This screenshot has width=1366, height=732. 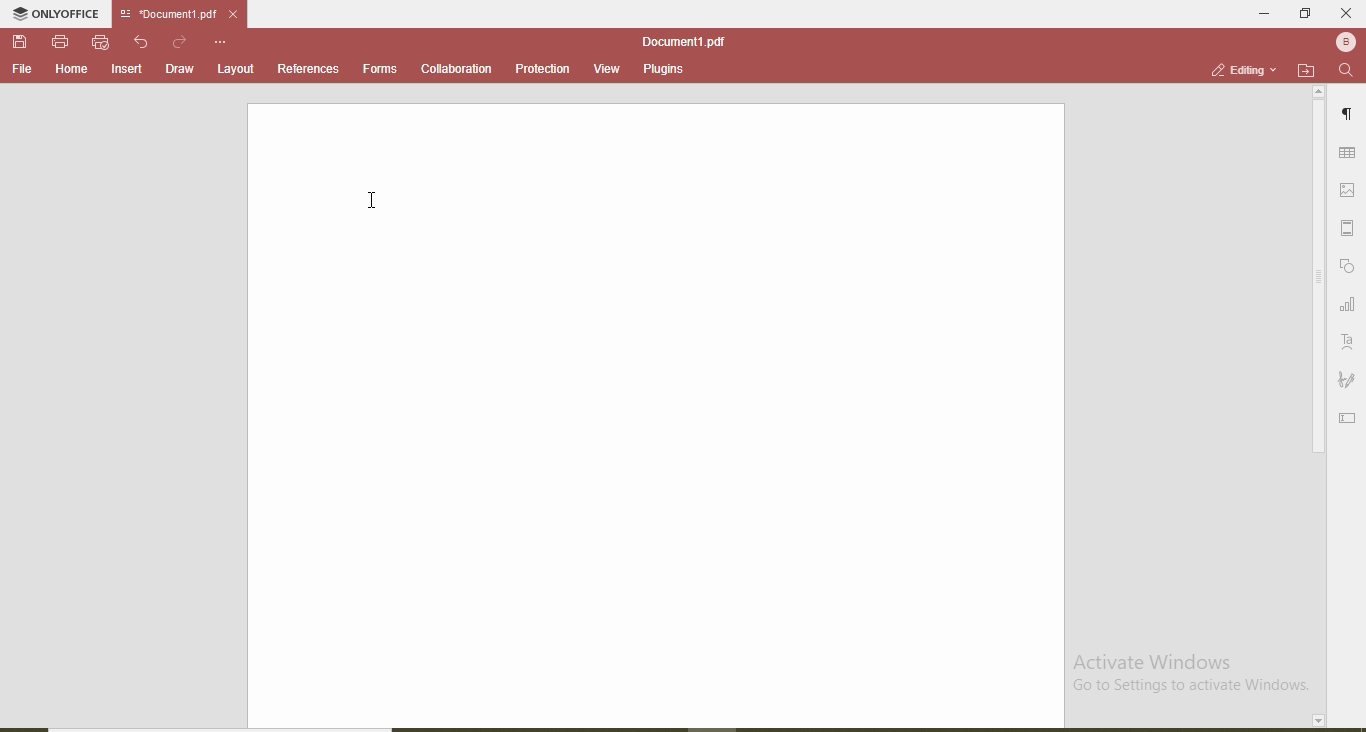 What do you see at coordinates (22, 43) in the screenshot?
I see `save` at bounding box center [22, 43].